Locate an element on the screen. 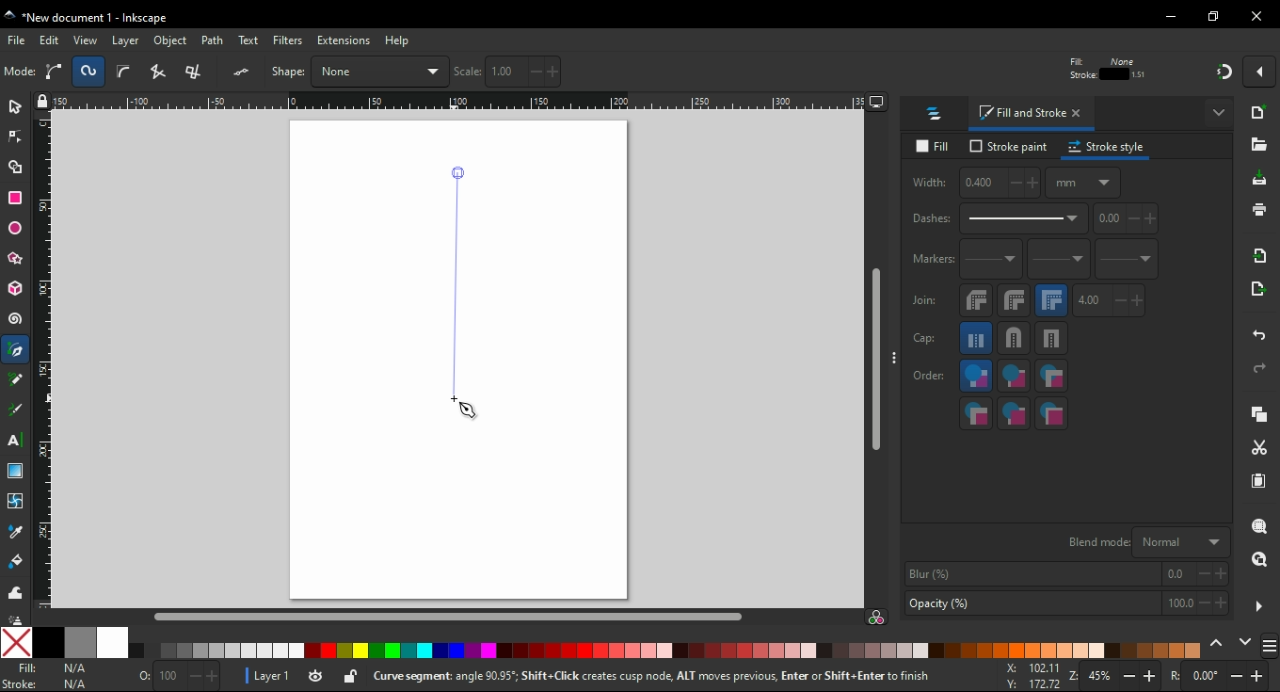 The height and width of the screenshot is (692, 1280). mouse pointer is located at coordinates (470, 411).